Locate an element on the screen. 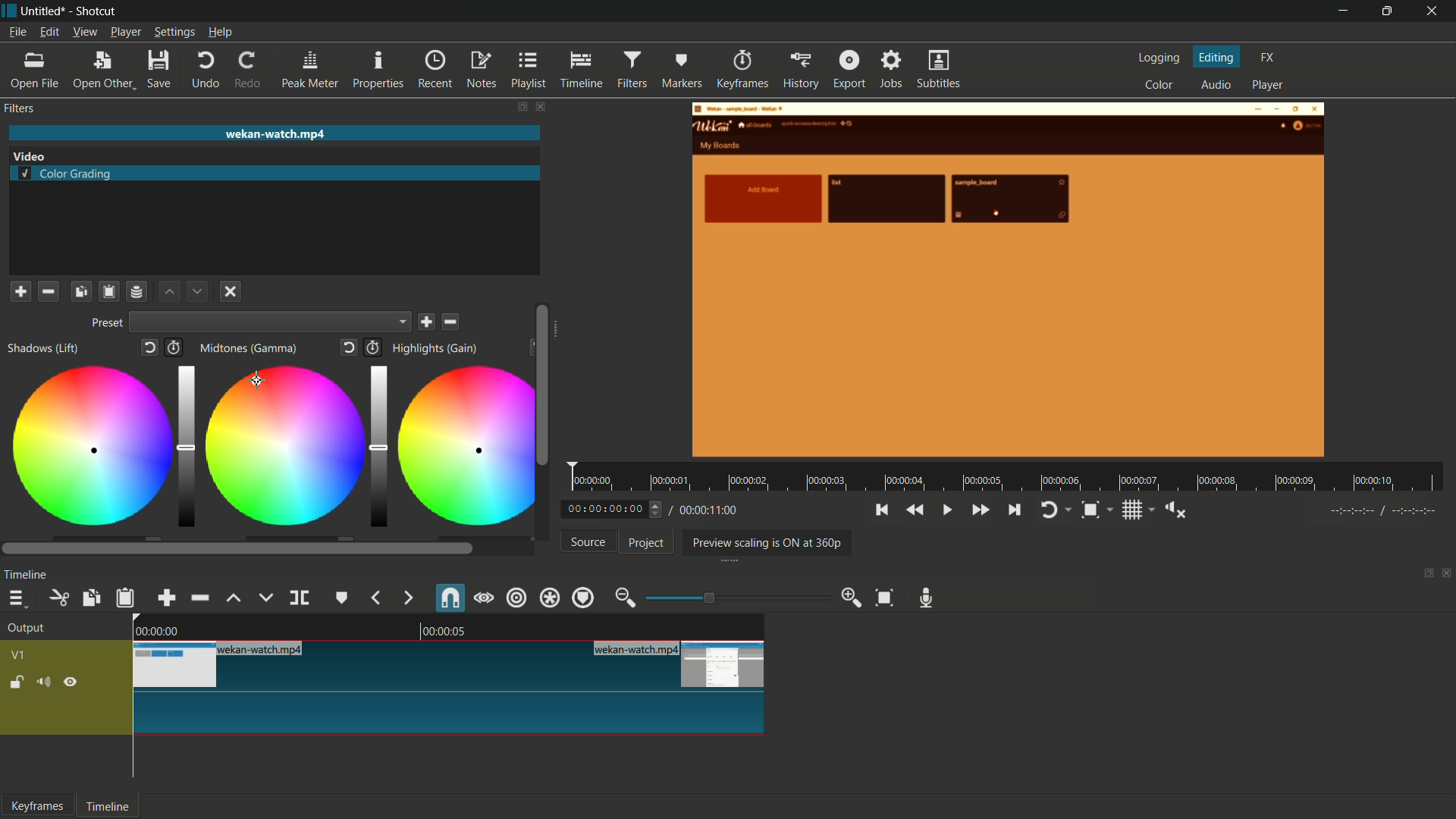  export is located at coordinates (850, 71).